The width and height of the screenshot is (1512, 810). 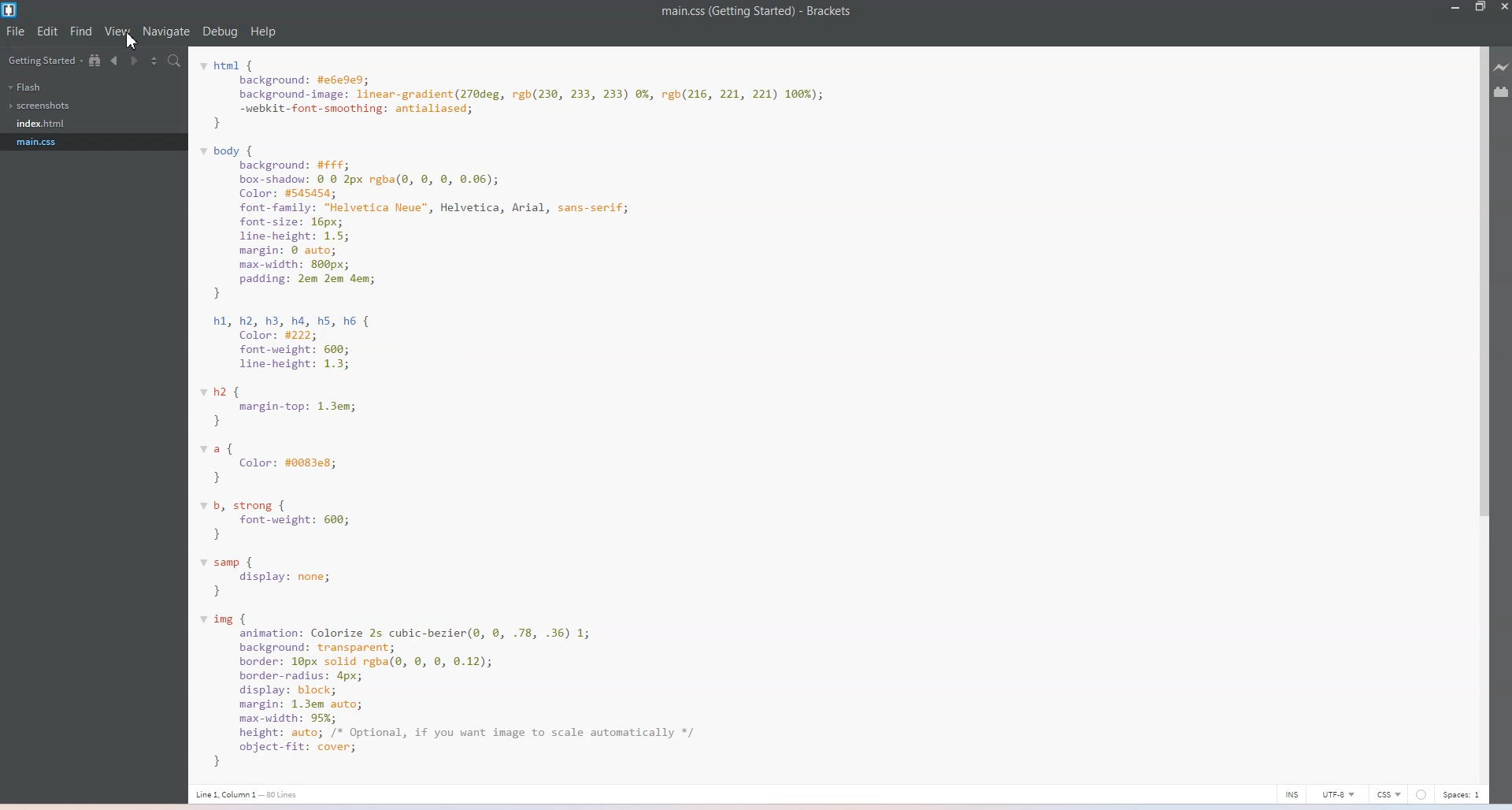 I want to click on Logo, so click(x=12, y=11).